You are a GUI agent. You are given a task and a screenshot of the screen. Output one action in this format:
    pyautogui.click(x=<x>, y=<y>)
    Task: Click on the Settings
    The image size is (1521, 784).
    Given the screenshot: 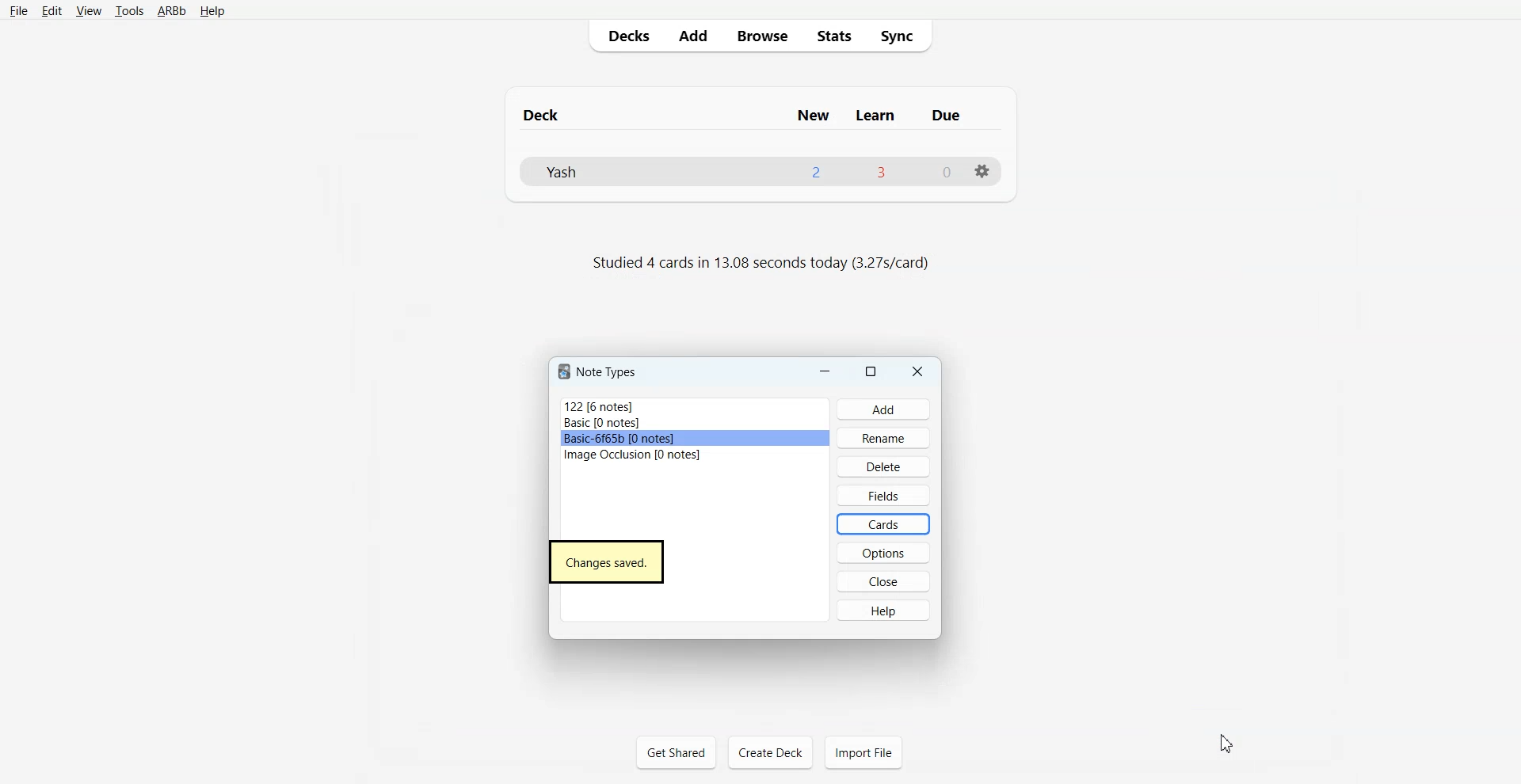 What is the action you would take?
    pyautogui.click(x=983, y=172)
    